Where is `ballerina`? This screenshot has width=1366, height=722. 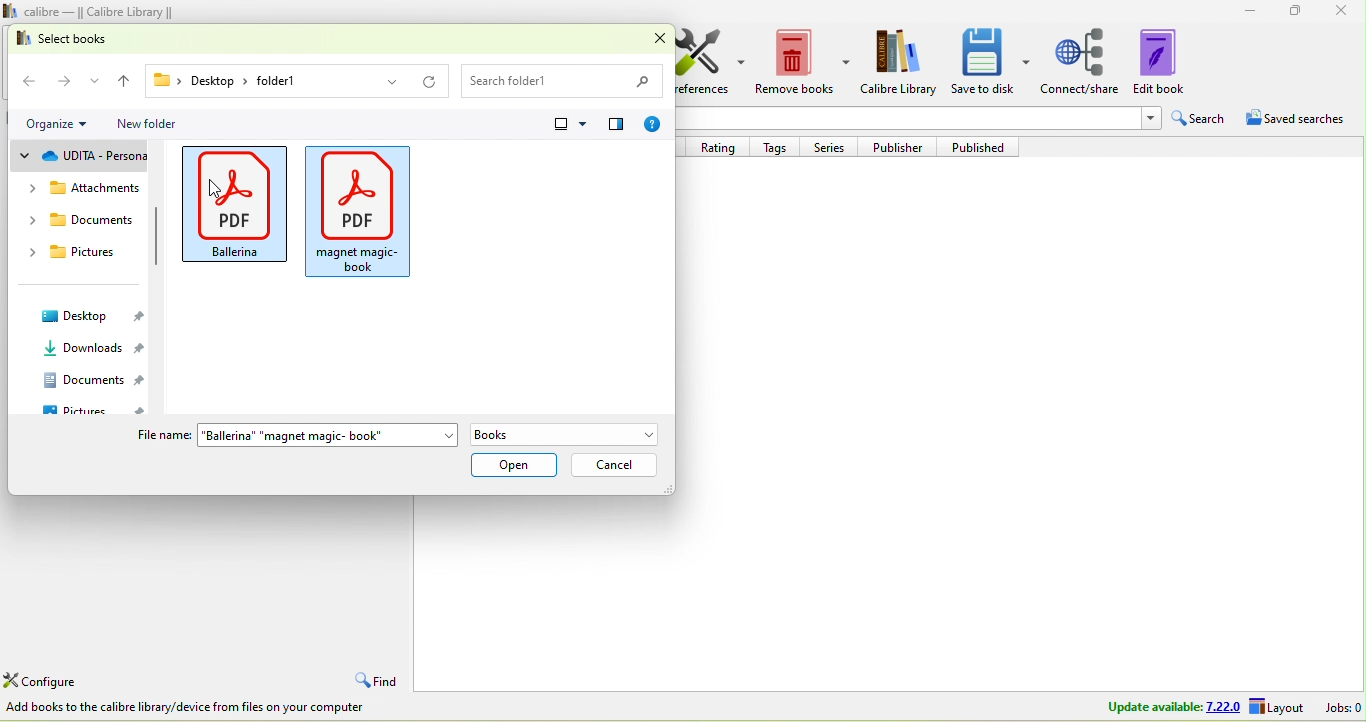 ballerina is located at coordinates (233, 207).